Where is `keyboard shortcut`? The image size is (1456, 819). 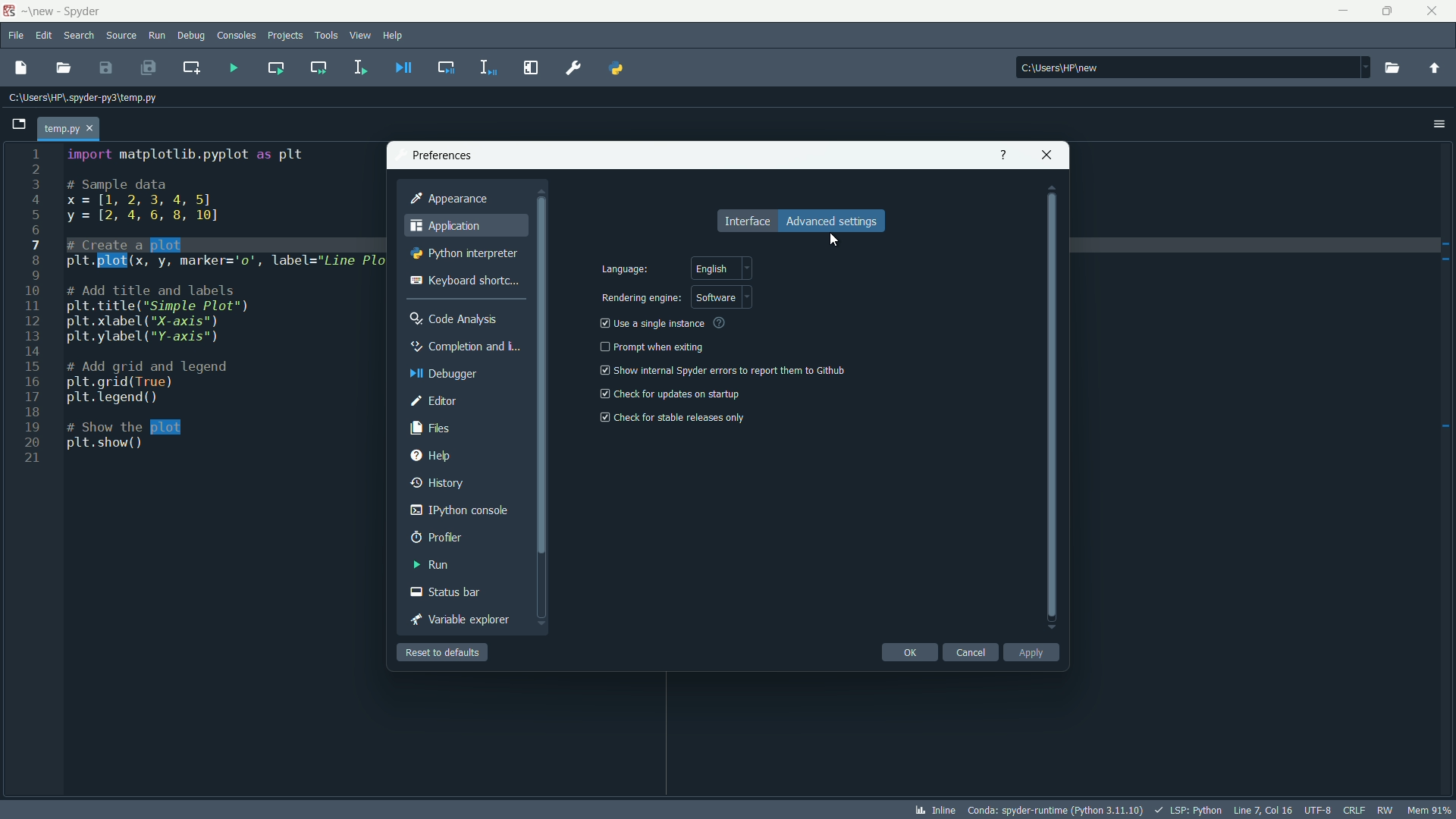 keyboard shortcut is located at coordinates (463, 279).